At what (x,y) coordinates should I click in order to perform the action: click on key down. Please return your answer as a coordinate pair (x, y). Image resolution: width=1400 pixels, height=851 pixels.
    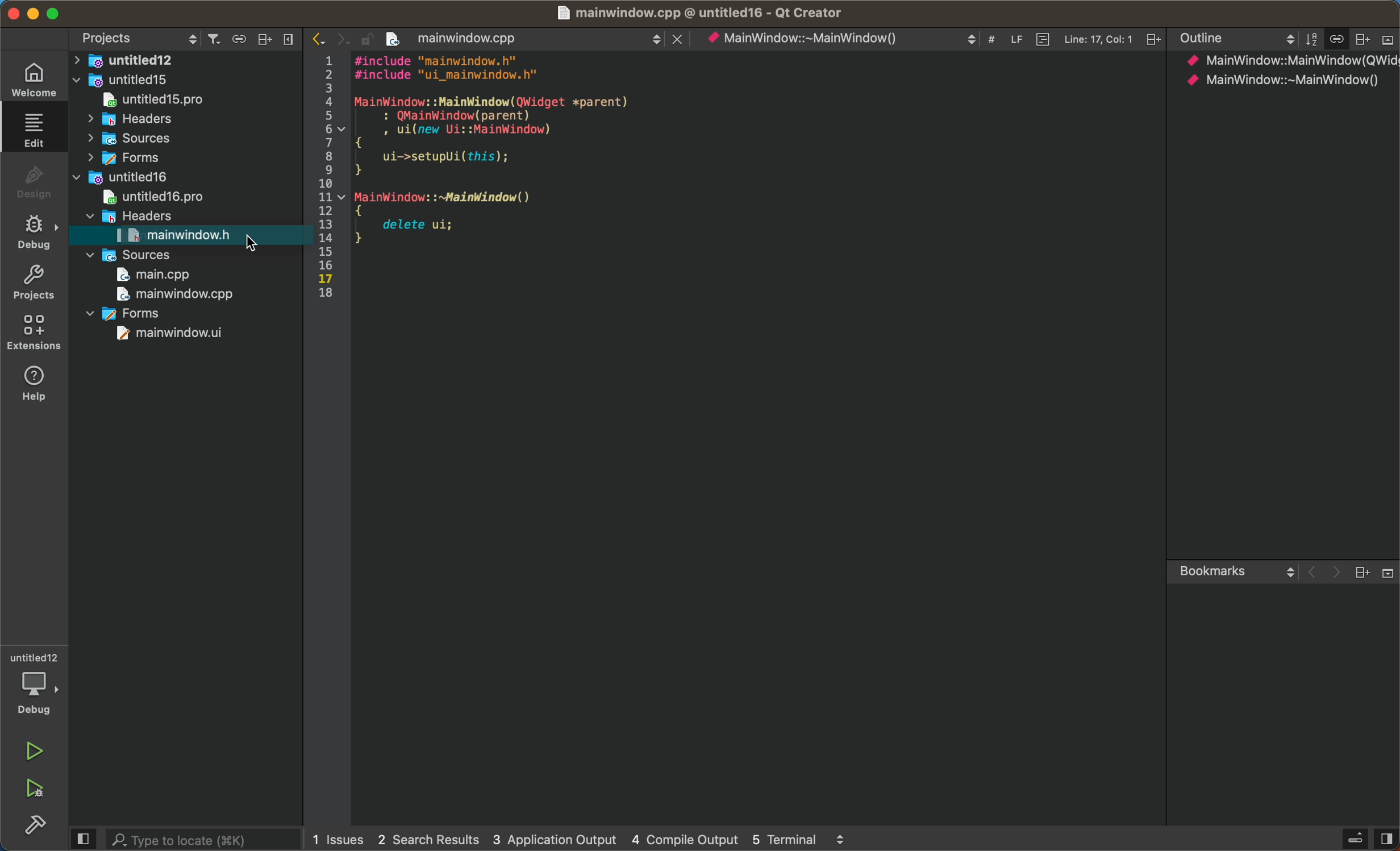
    Looking at the image, I should click on (210, 234).